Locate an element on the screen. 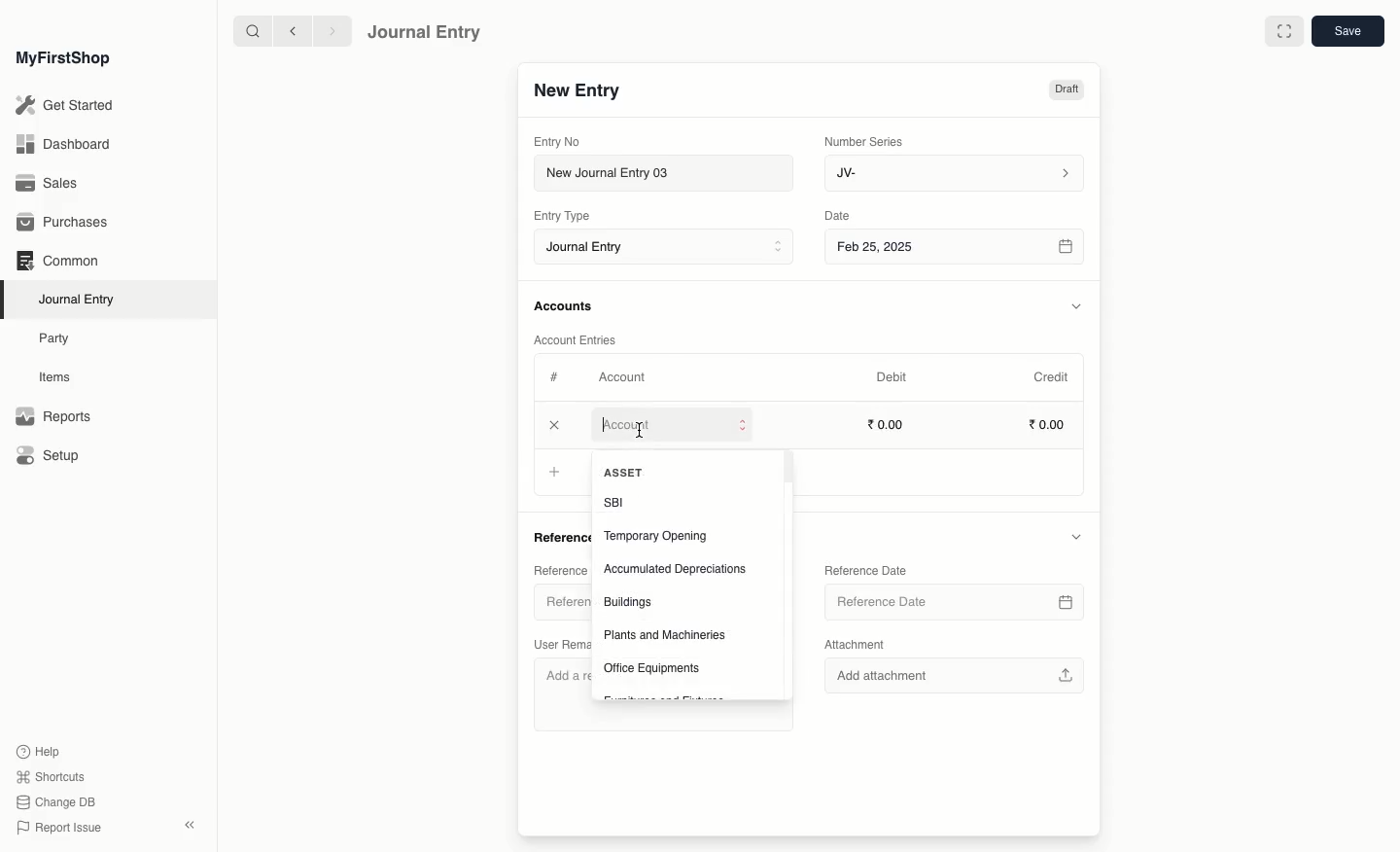  Party is located at coordinates (55, 337).